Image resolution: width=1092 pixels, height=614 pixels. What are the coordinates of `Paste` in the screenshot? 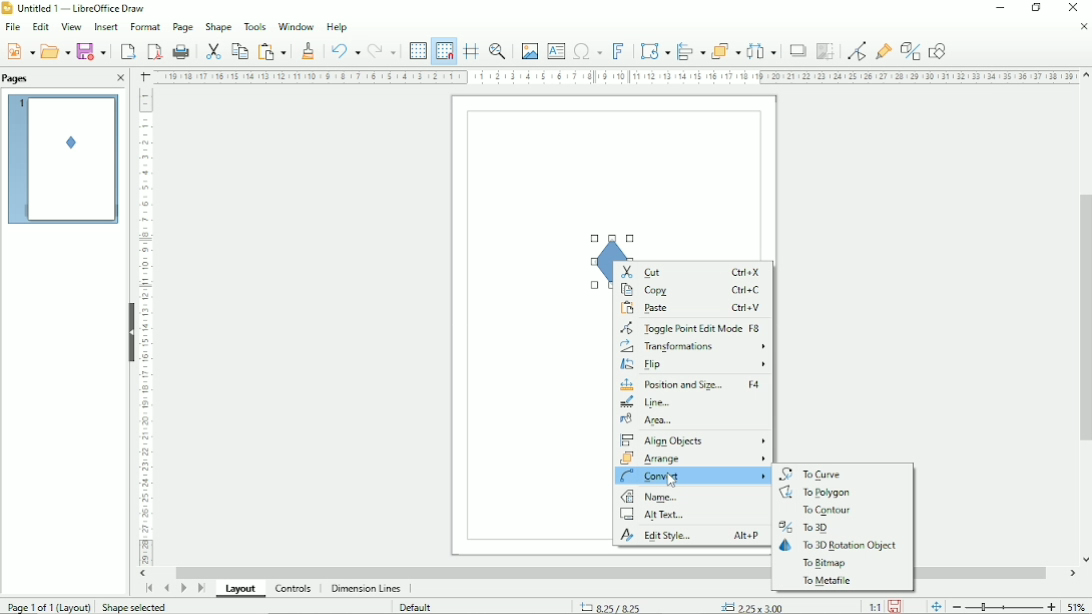 It's located at (692, 309).